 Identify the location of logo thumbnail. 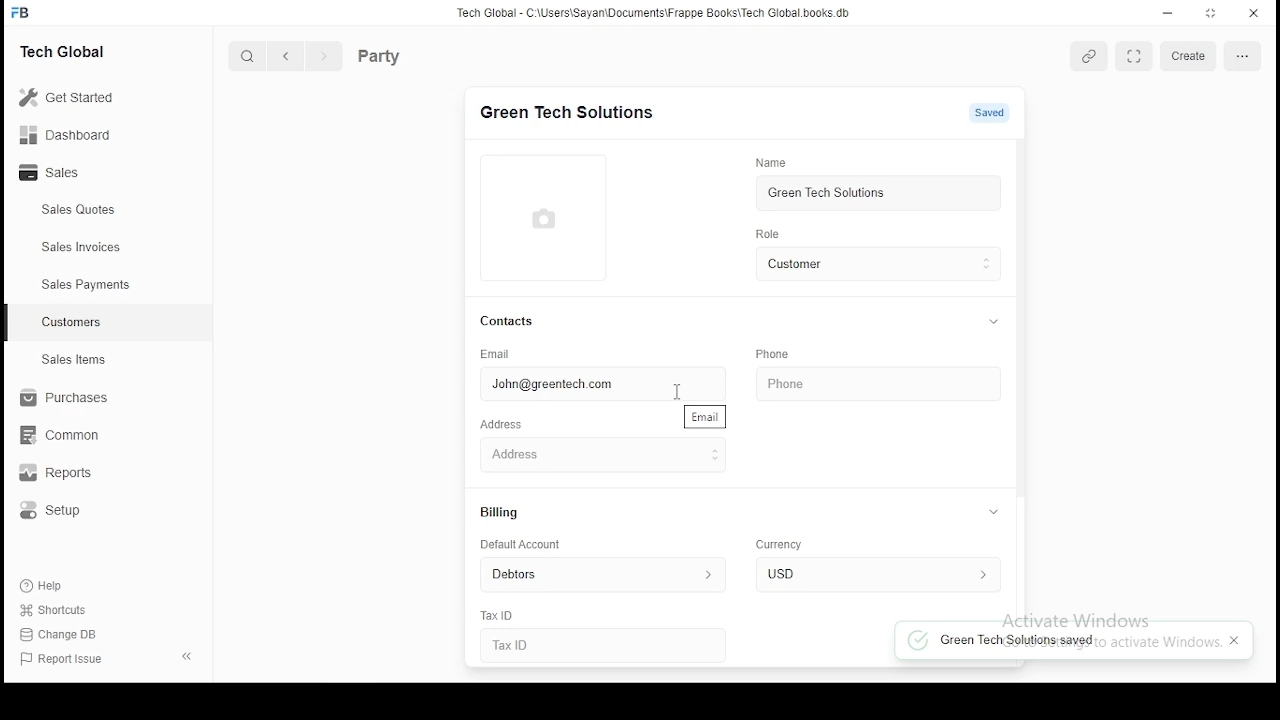
(546, 217).